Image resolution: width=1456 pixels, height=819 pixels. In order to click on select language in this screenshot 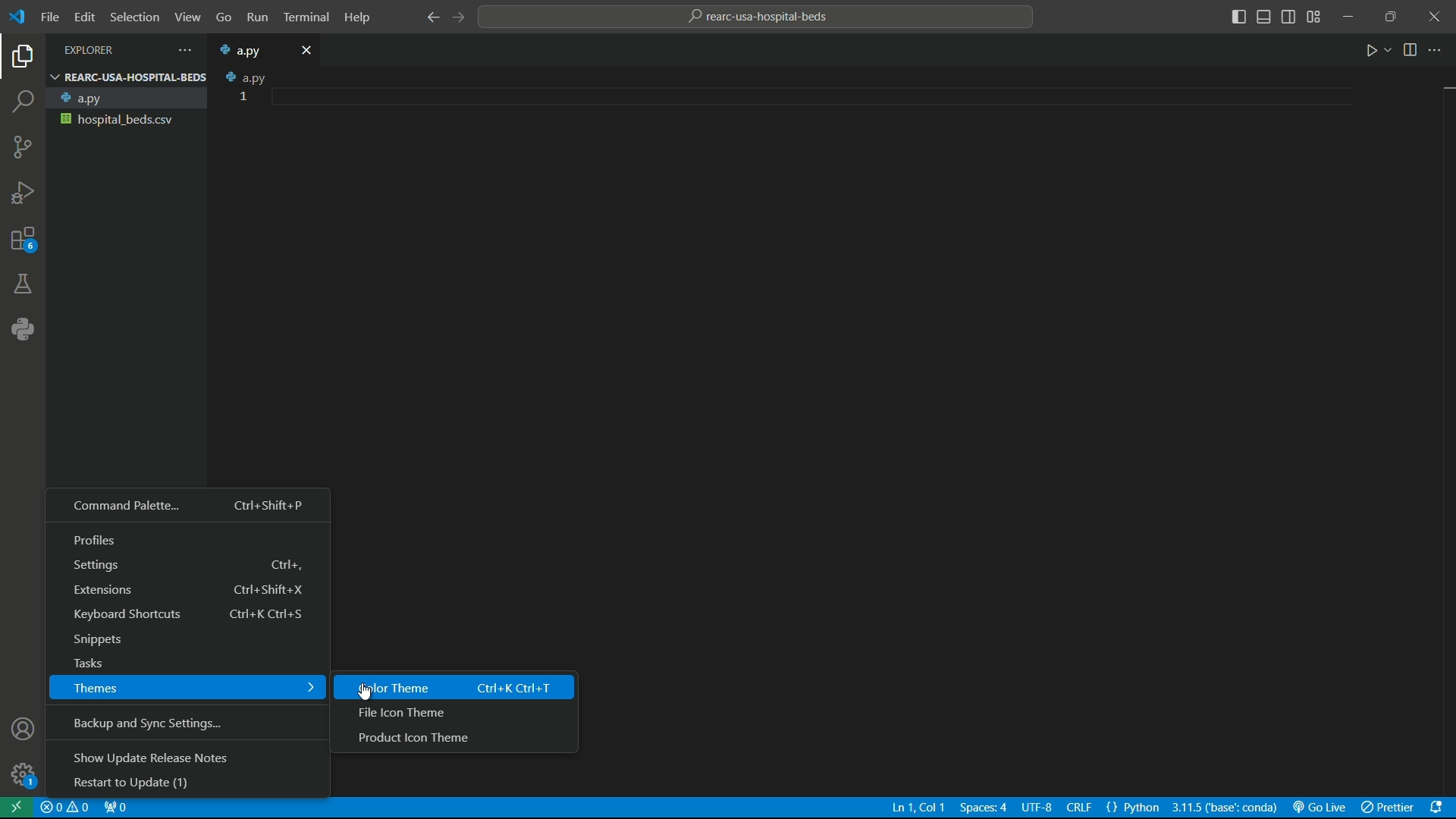, I will do `click(1134, 808)`.